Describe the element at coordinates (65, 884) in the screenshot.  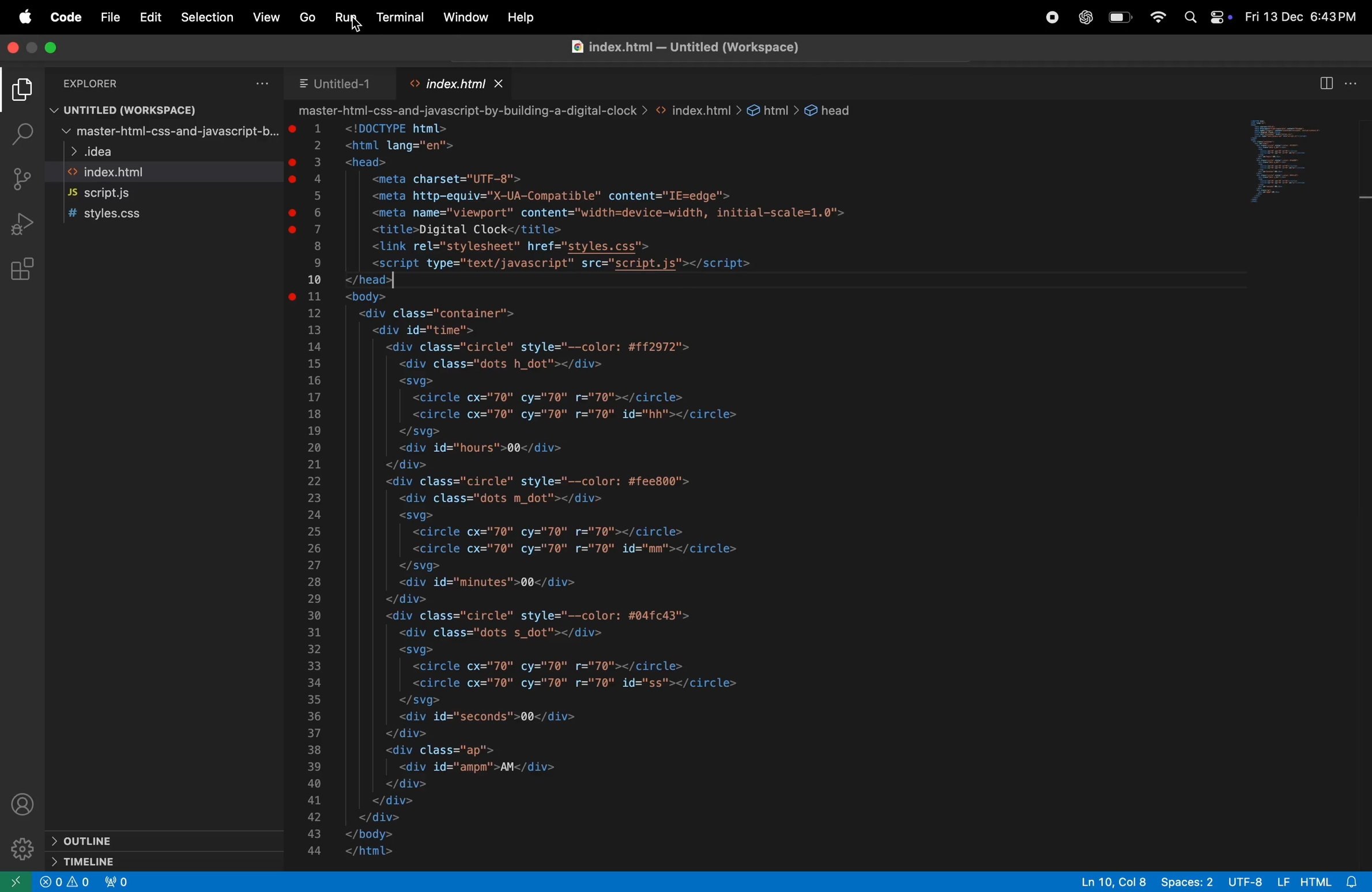
I see `warning` at that location.